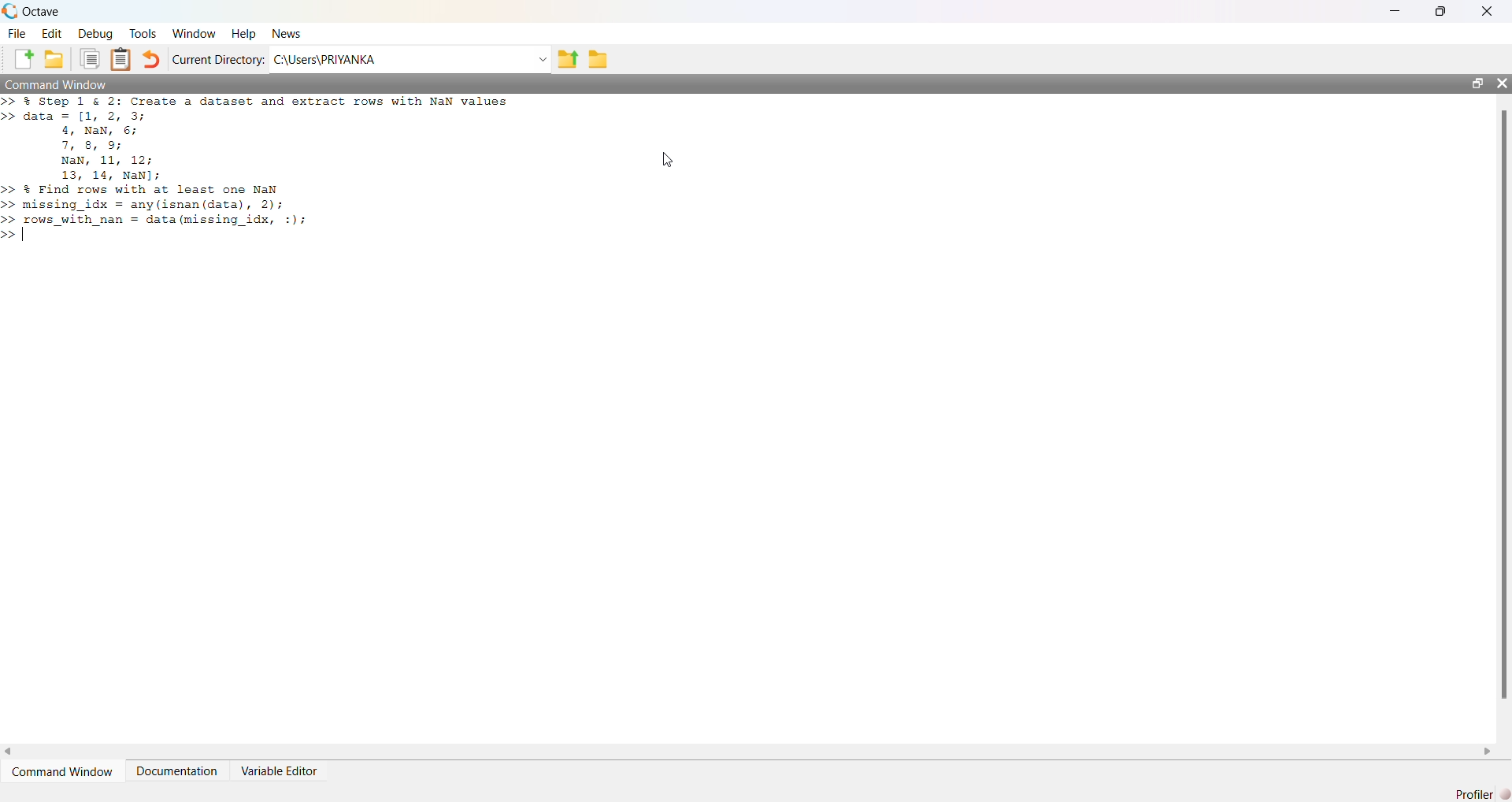 The height and width of the screenshot is (802, 1512). Describe the element at coordinates (219, 59) in the screenshot. I see `Current Directory:` at that location.